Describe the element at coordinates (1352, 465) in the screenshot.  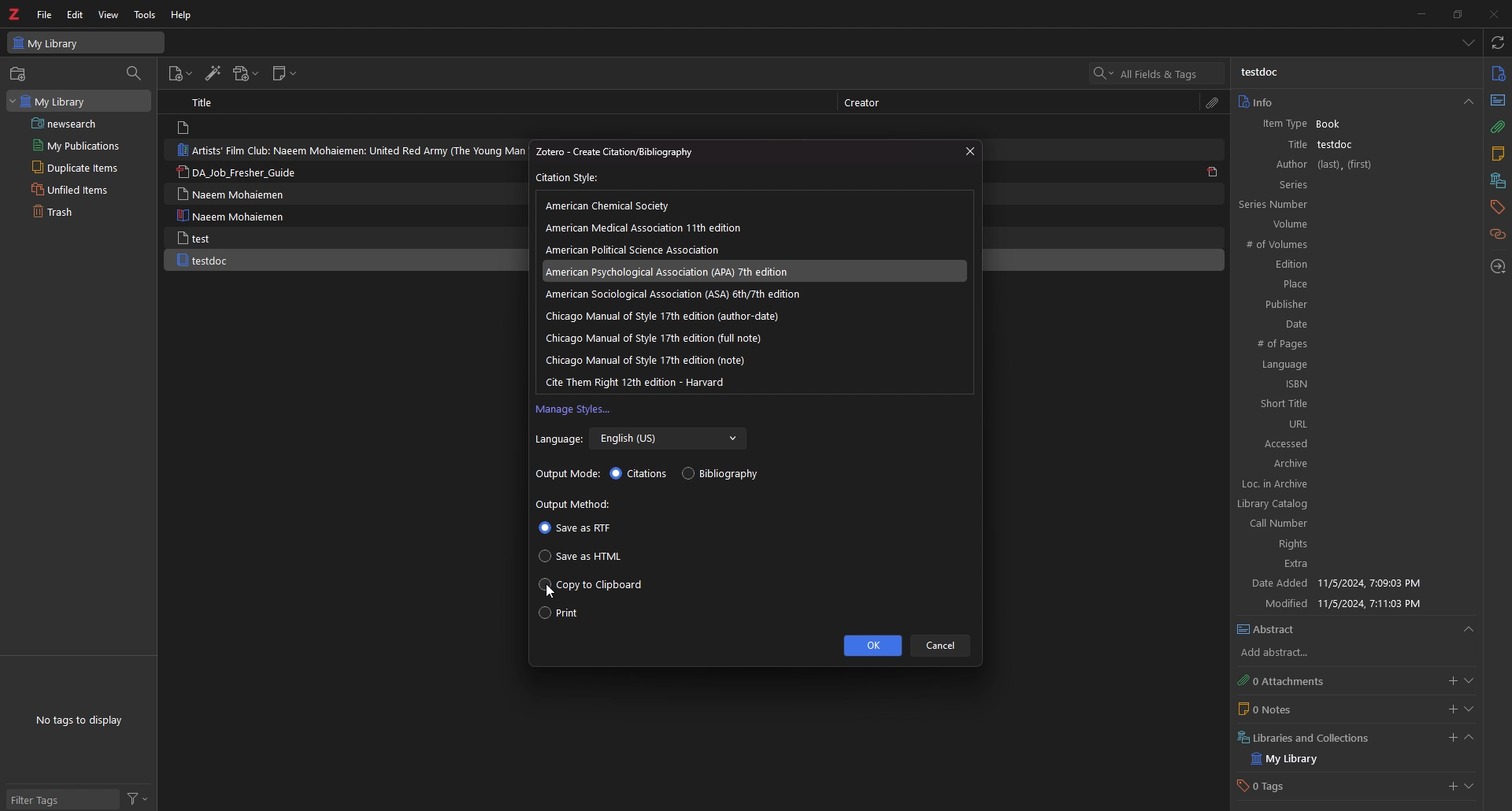
I see `Archive` at that location.